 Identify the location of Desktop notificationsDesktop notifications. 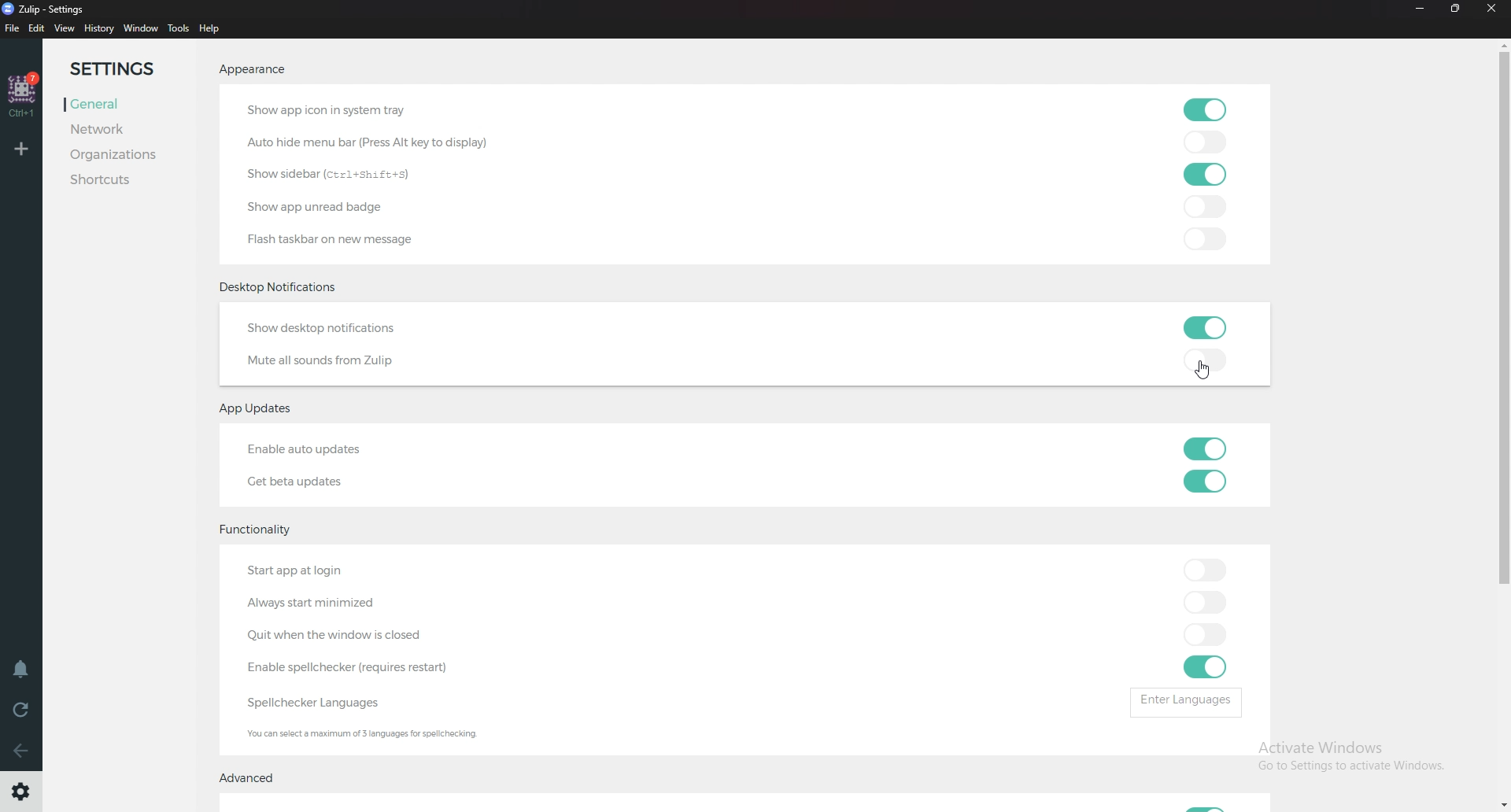
(283, 286).